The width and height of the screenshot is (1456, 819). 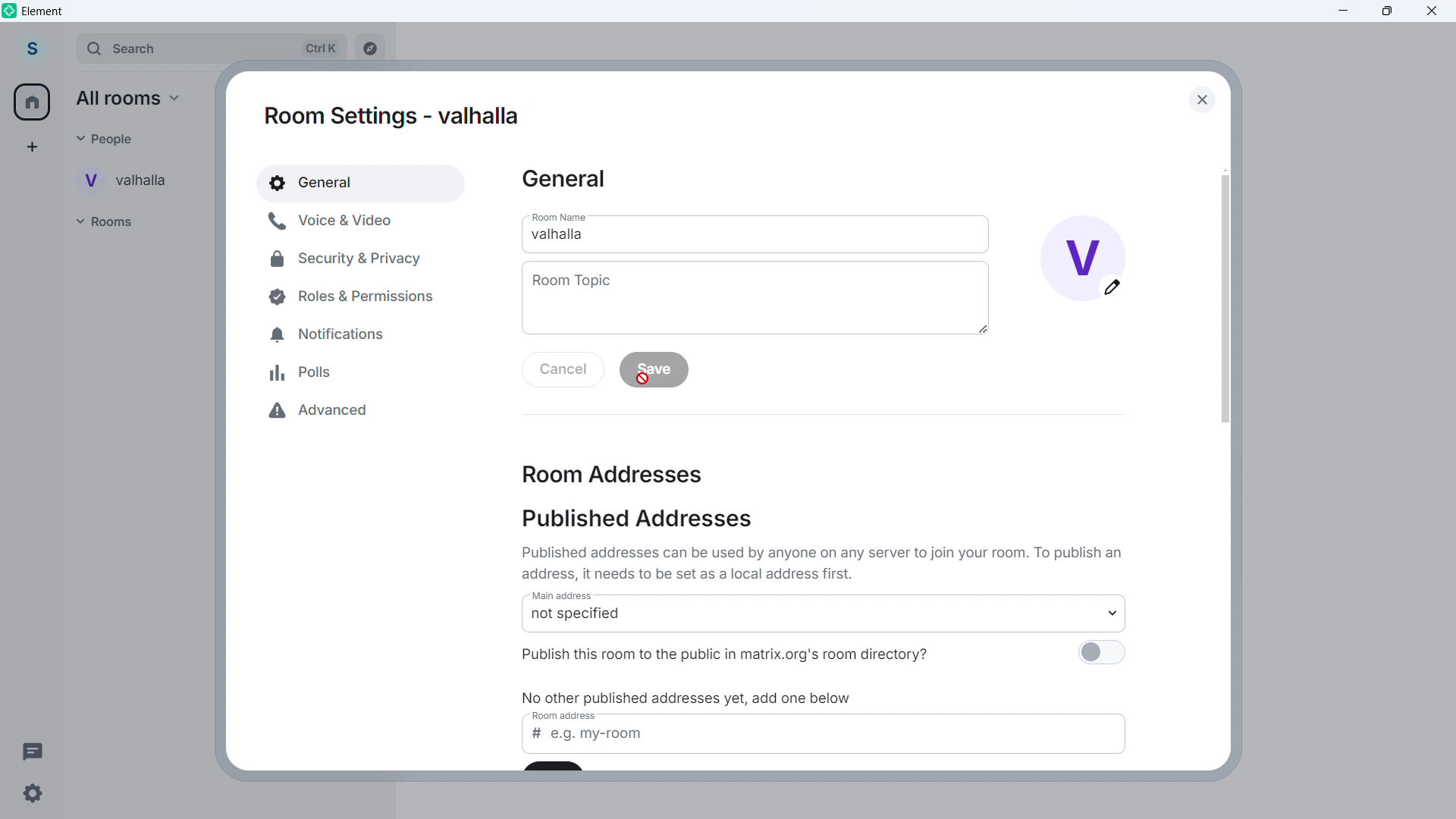 I want to click on User Conversation  , so click(x=149, y=179).